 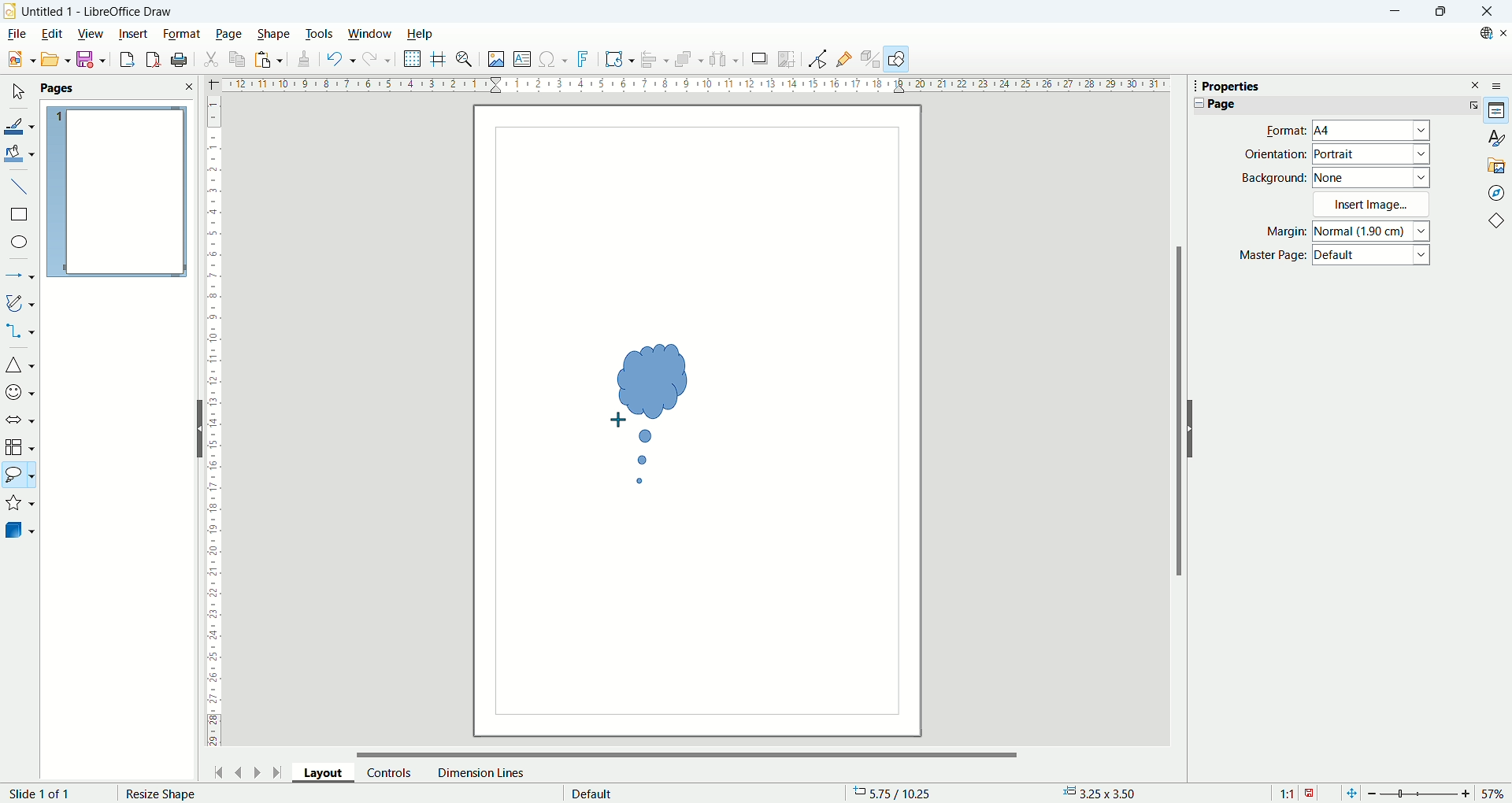 I want to click on logo, so click(x=10, y=10).